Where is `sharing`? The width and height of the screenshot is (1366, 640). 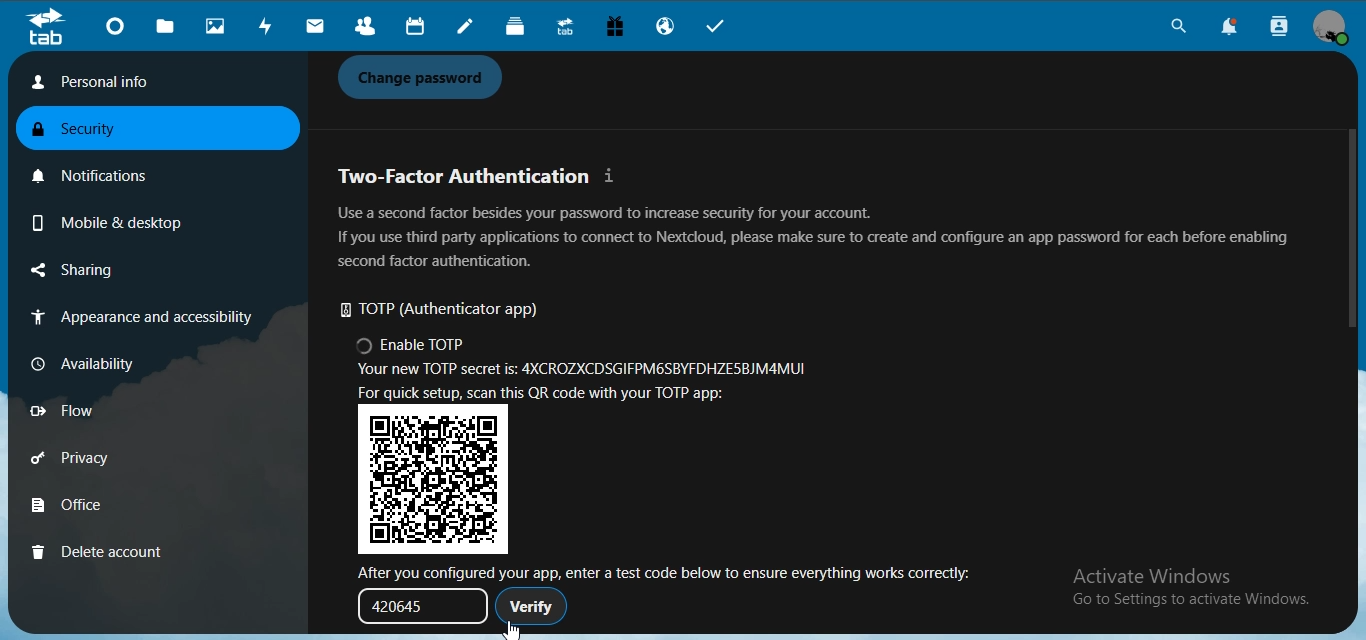 sharing is located at coordinates (103, 271).